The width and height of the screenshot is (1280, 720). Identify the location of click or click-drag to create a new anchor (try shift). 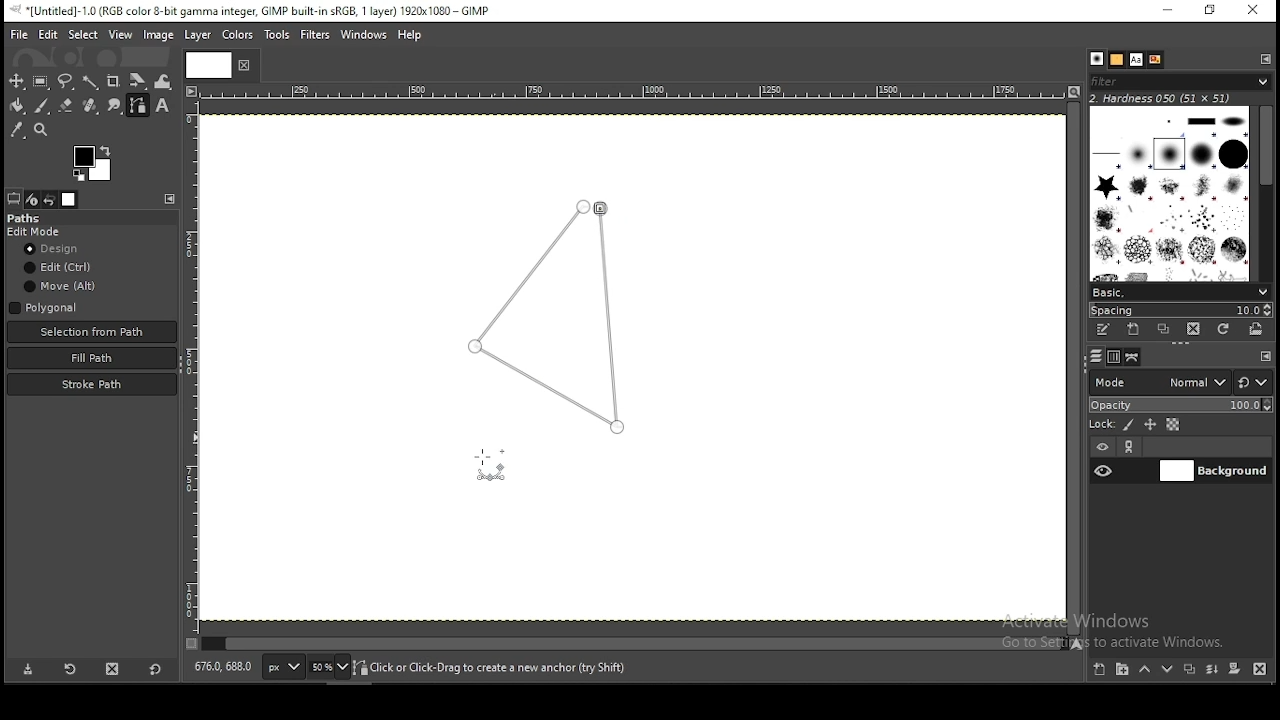
(494, 666).